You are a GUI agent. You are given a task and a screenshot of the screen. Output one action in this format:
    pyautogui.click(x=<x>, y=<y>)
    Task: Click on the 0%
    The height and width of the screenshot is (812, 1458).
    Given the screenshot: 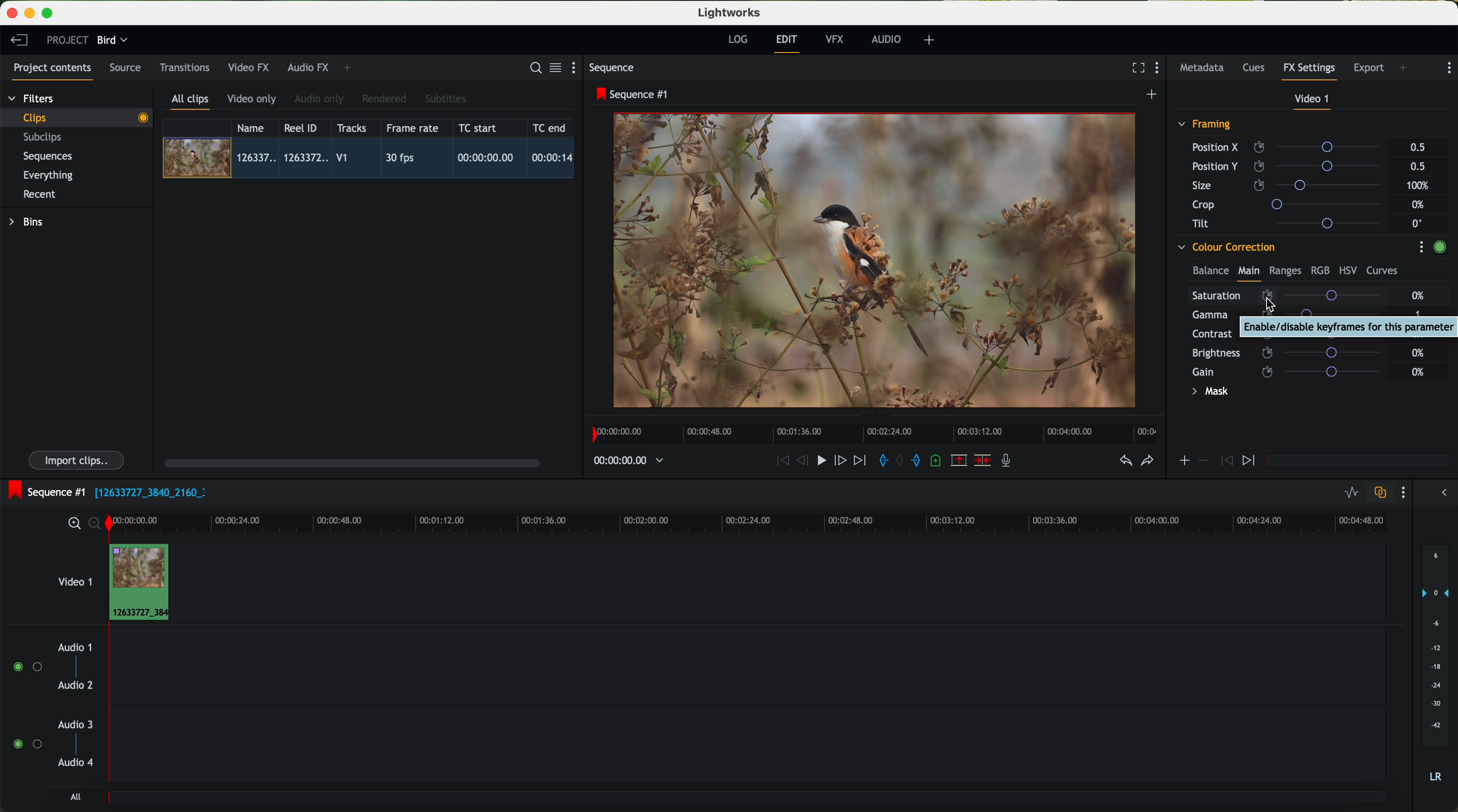 What is the action you would take?
    pyautogui.click(x=1420, y=205)
    